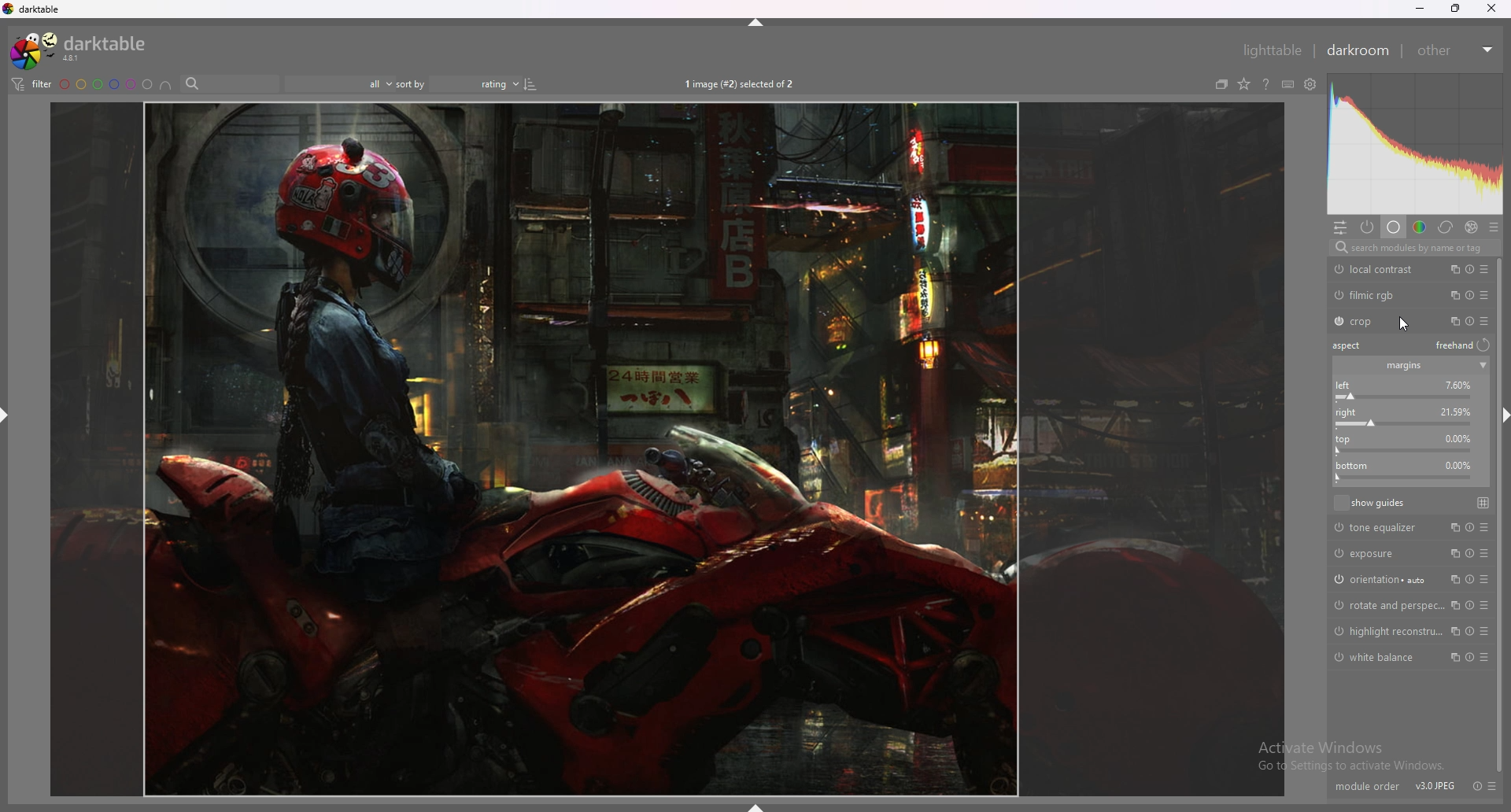  I want to click on reset, so click(1469, 580).